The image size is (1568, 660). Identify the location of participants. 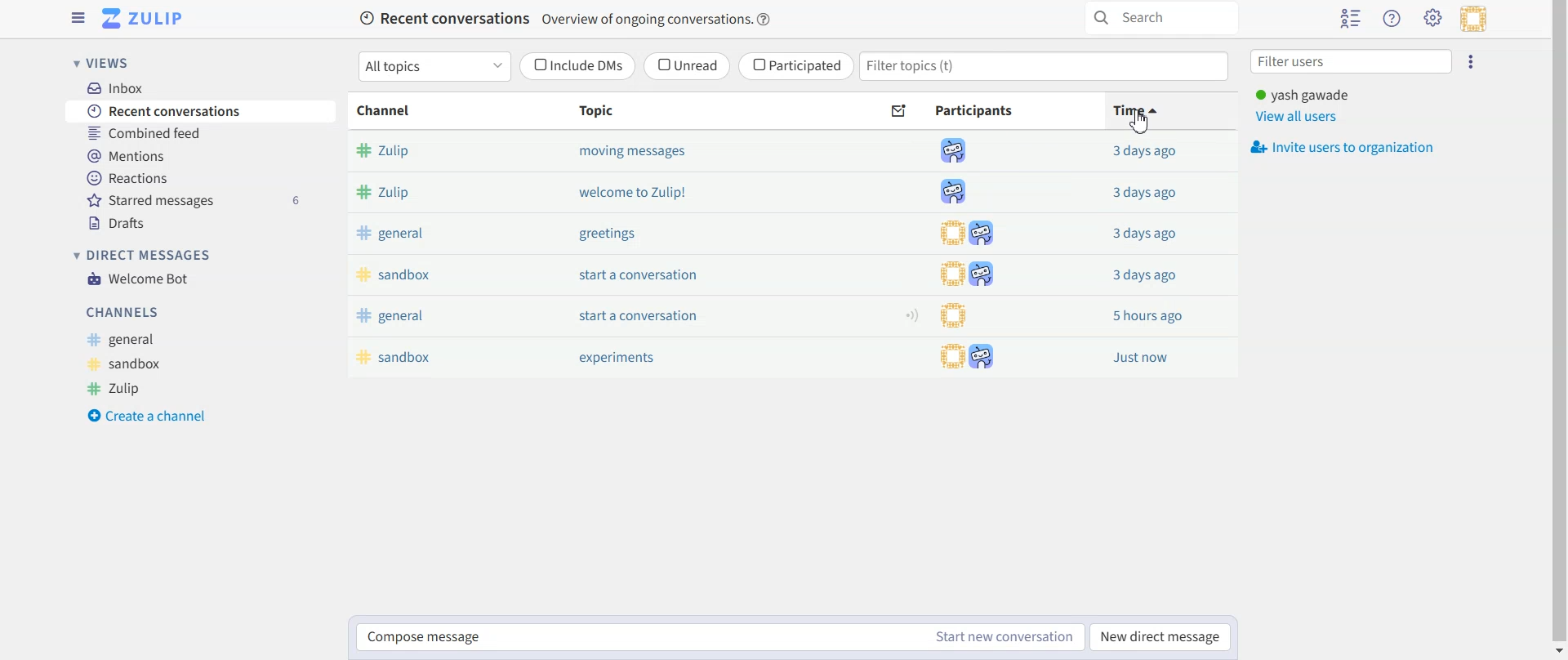
(951, 153).